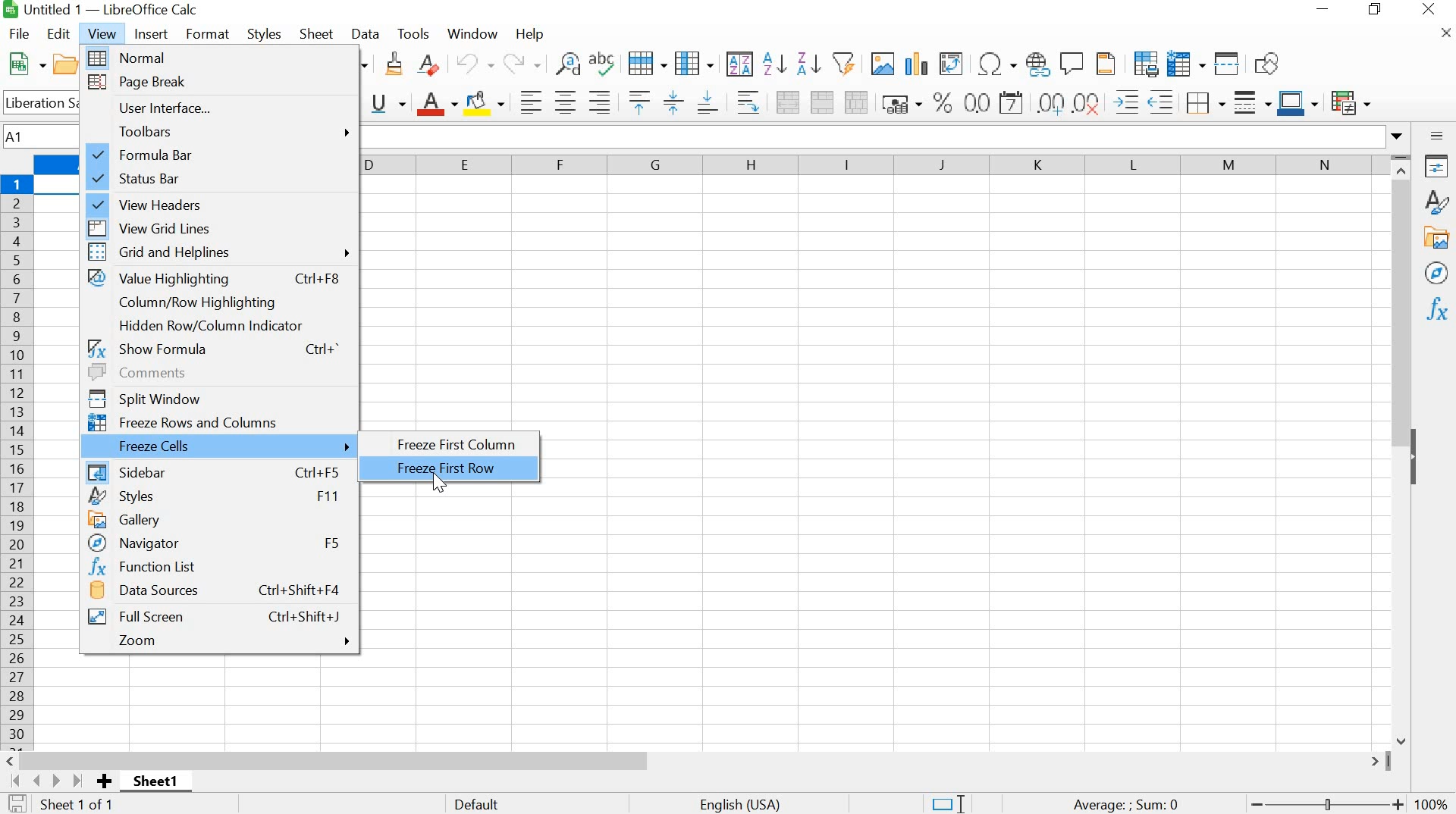 The image size is (1456, 814). Describe the element at coordinates (206, 302) in the screenshot. I see `COLUMN/ROW HIGHLIGHTING` at that location.